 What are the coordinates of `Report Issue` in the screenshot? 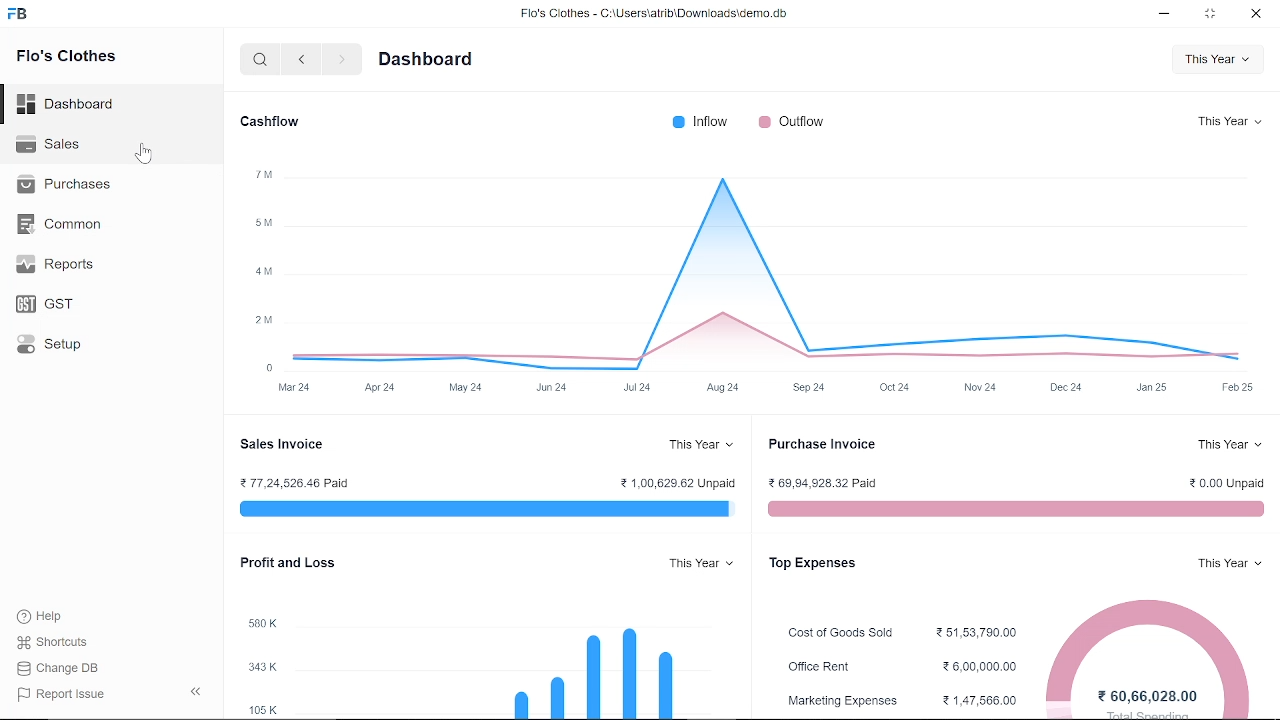 It's located at (58, 694).